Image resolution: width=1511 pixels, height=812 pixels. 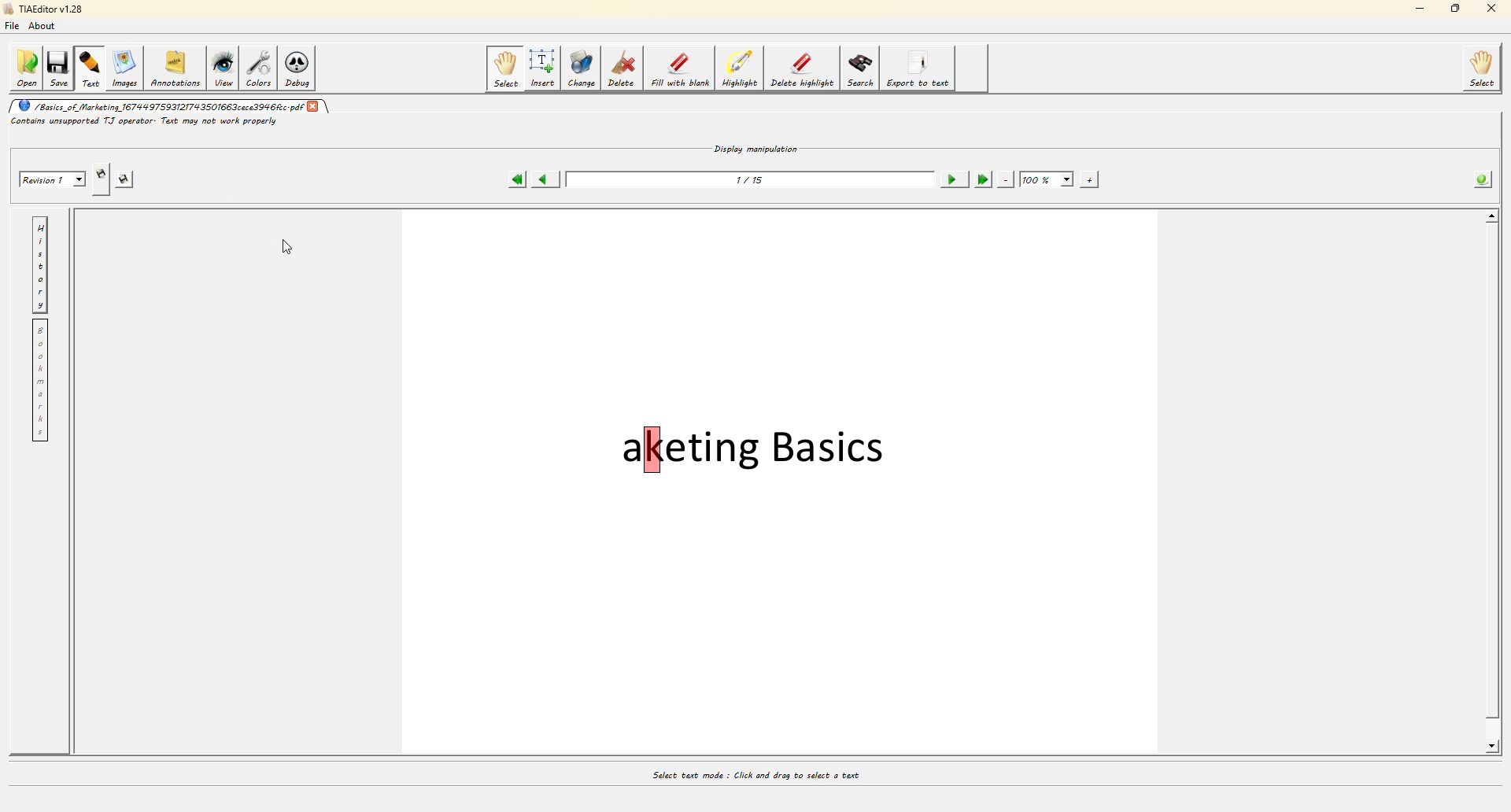 I want to click on first page, so click(x=517, y=177).